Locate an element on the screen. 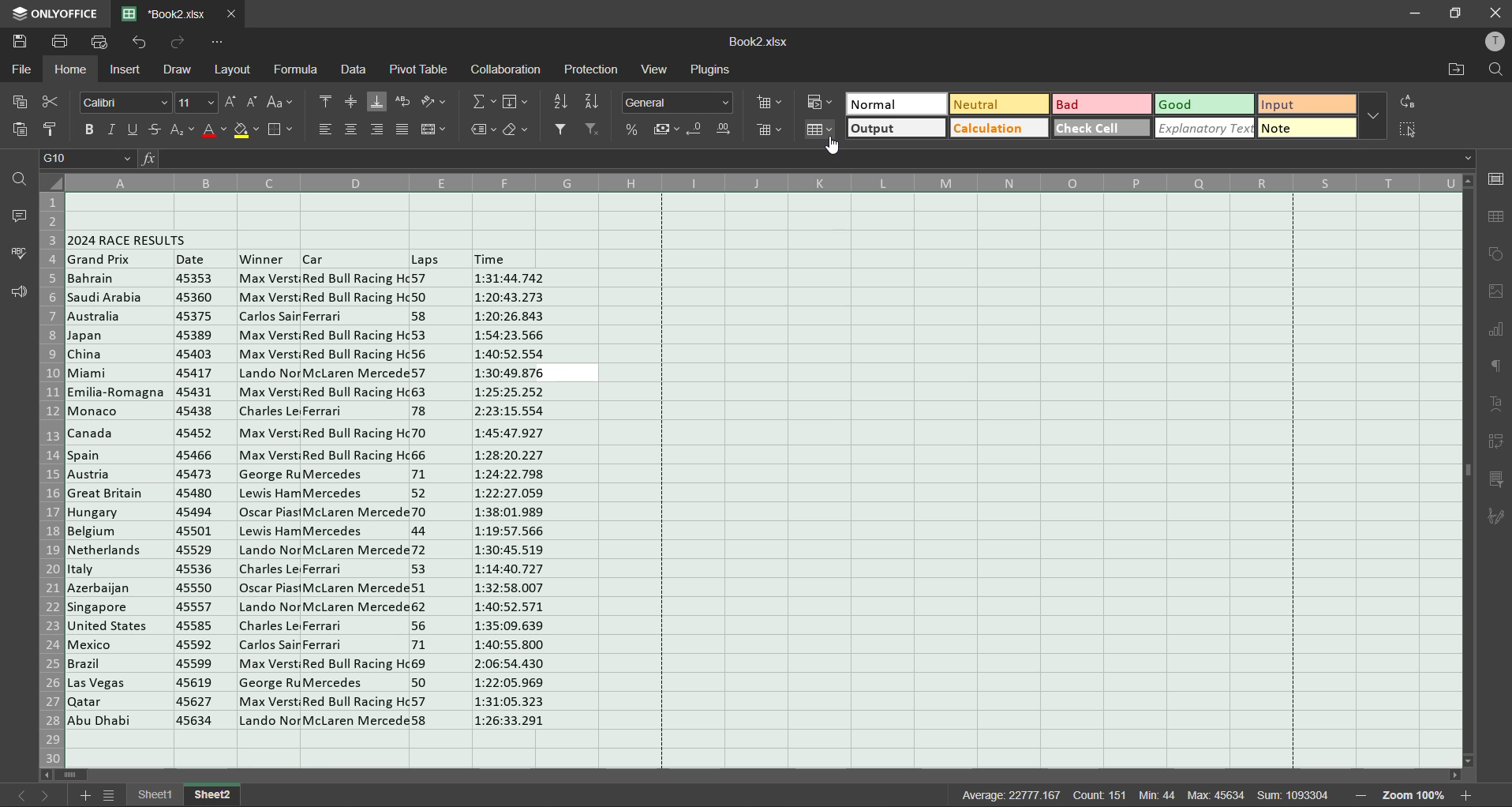  spellcheck is located at coordinates (14, 253).